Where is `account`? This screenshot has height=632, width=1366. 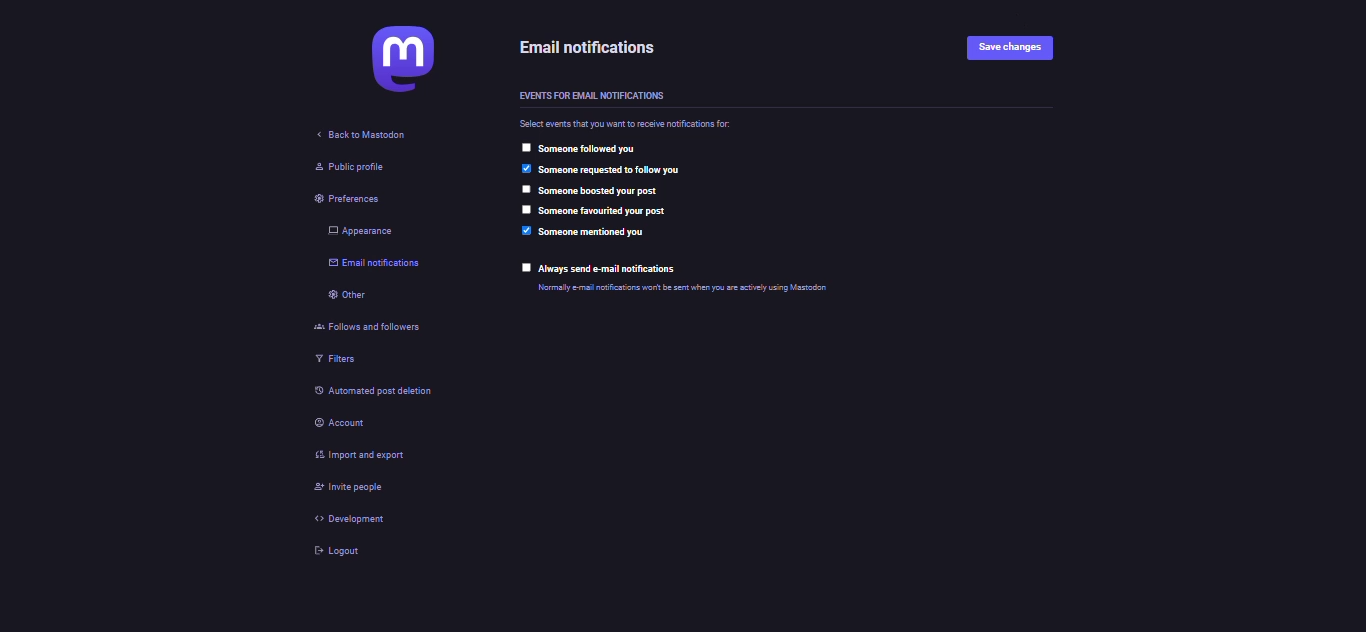
account is located at coordinates (344, 424).